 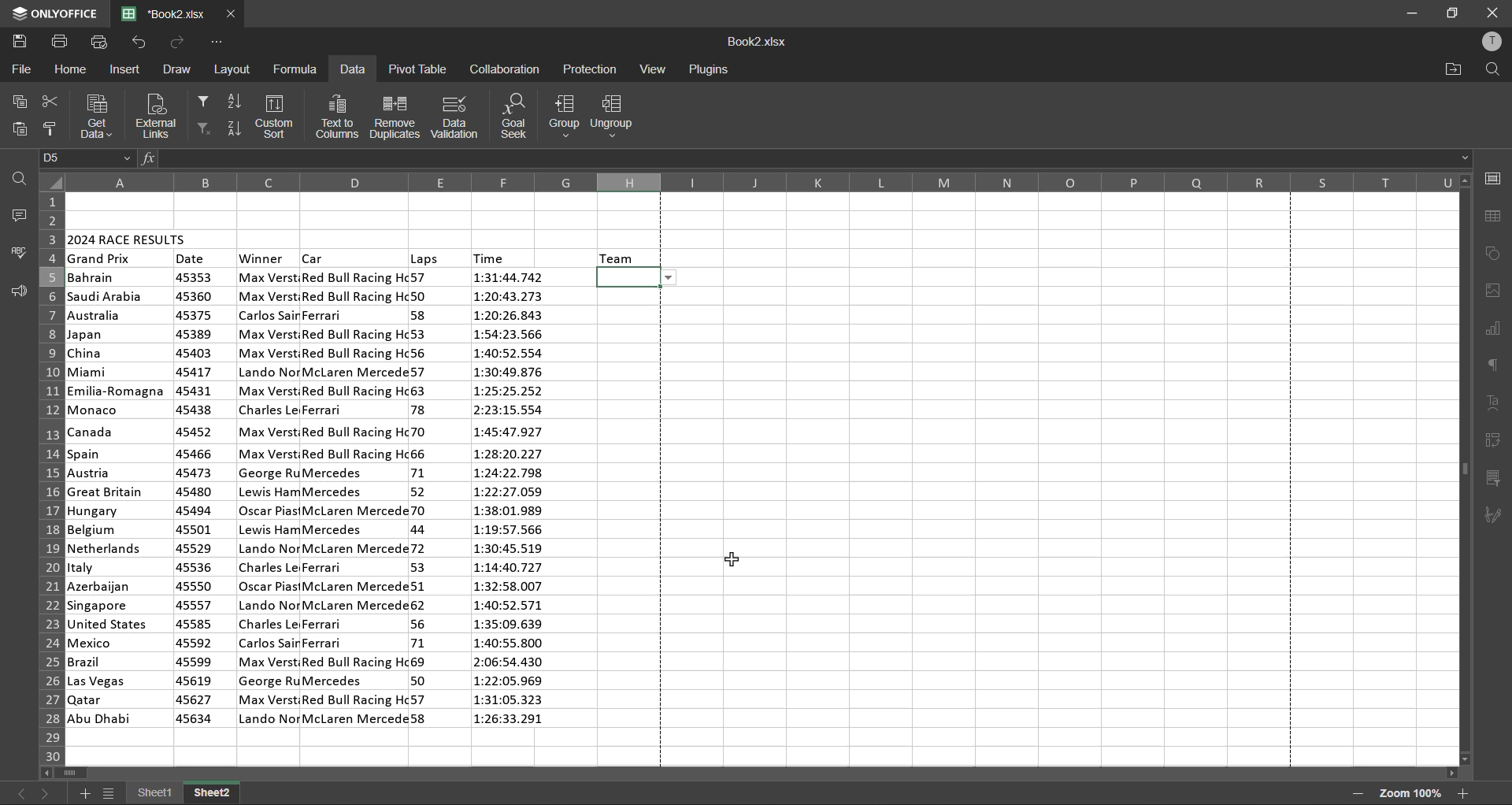 What do you see at coordinates (24, 42) in the screenshot?
I see `save` at bounding box center [24, 42].